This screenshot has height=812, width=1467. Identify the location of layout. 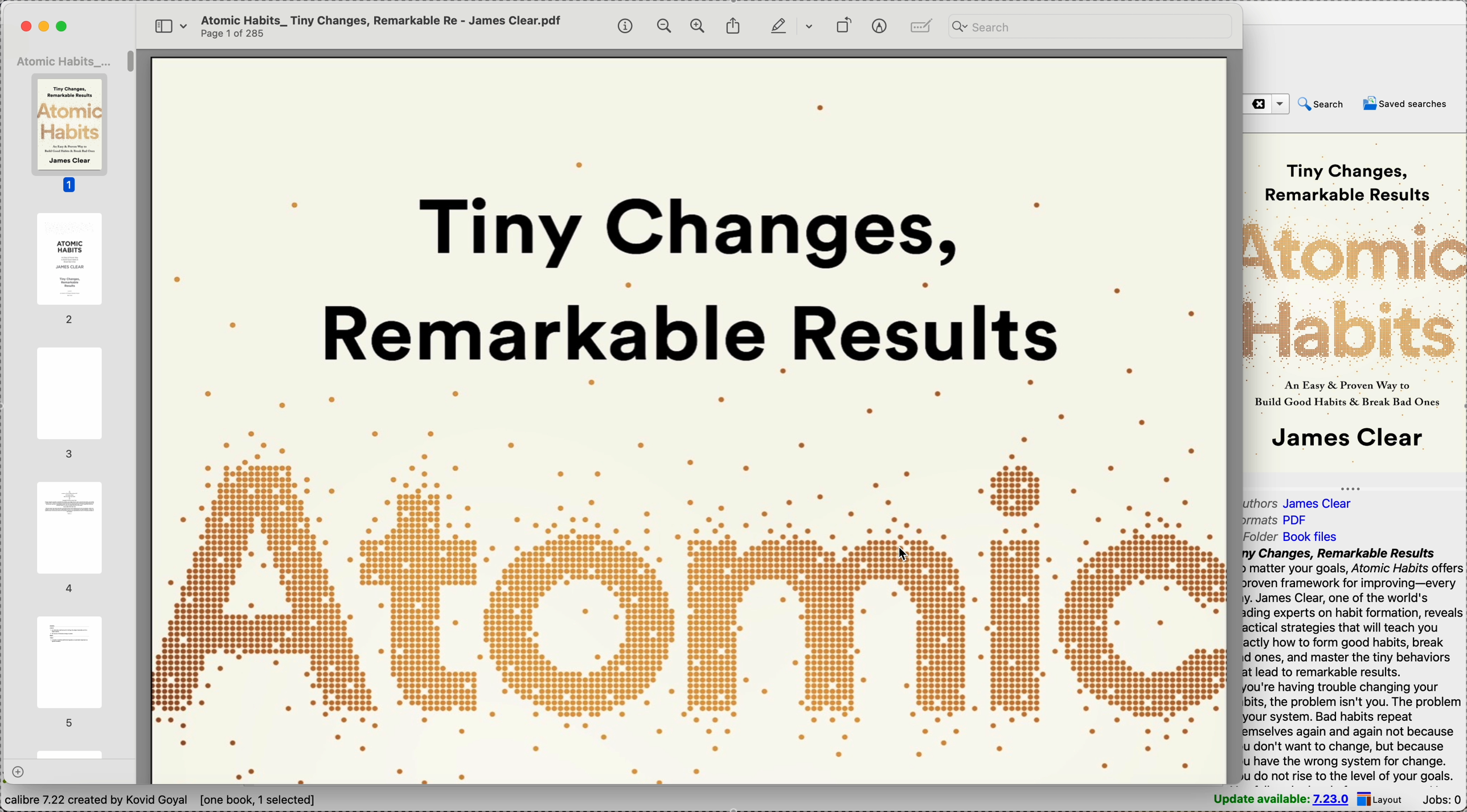
(1382, 798).